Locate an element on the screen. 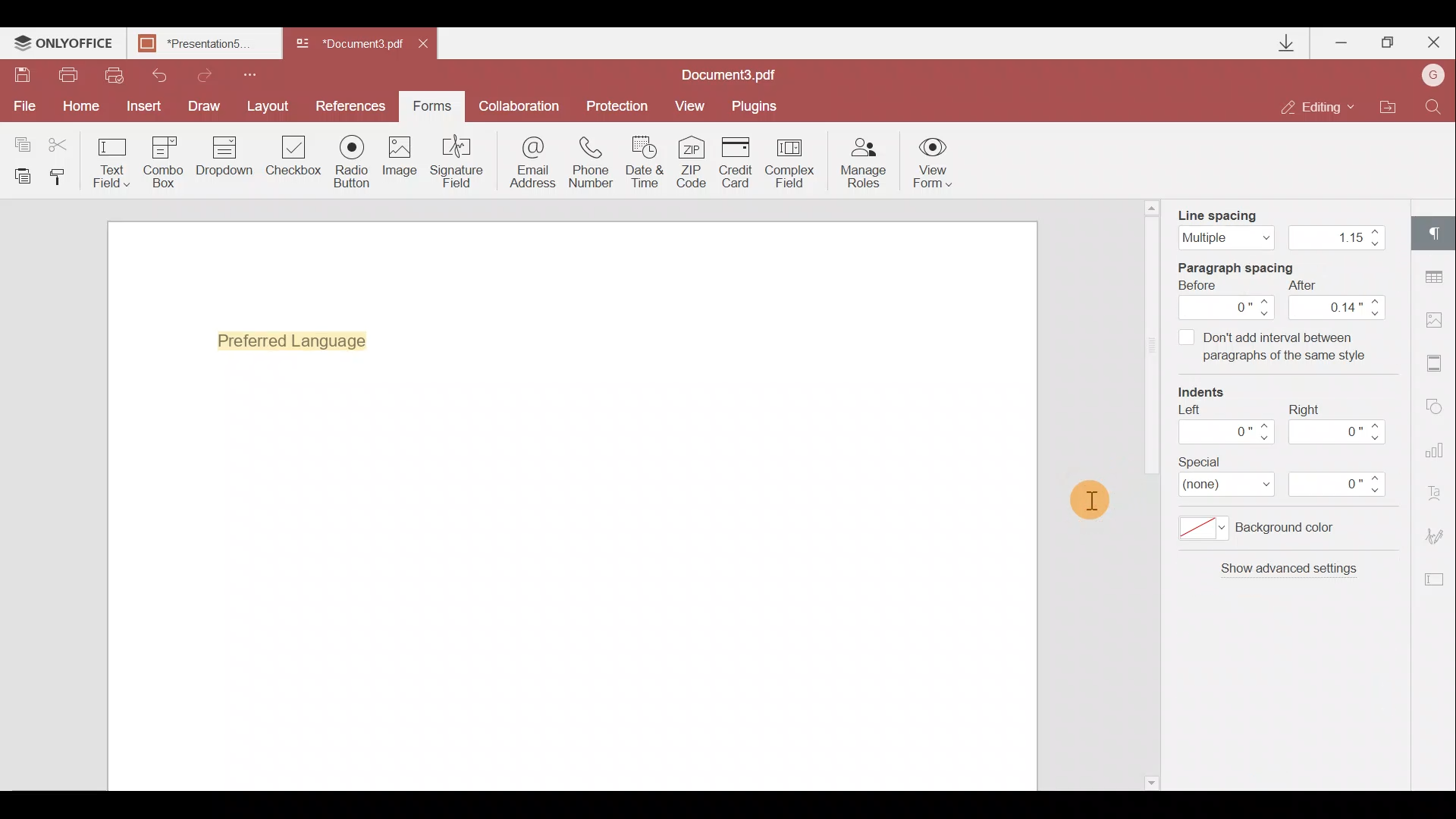  Text field is located at coordinates (112, 162).